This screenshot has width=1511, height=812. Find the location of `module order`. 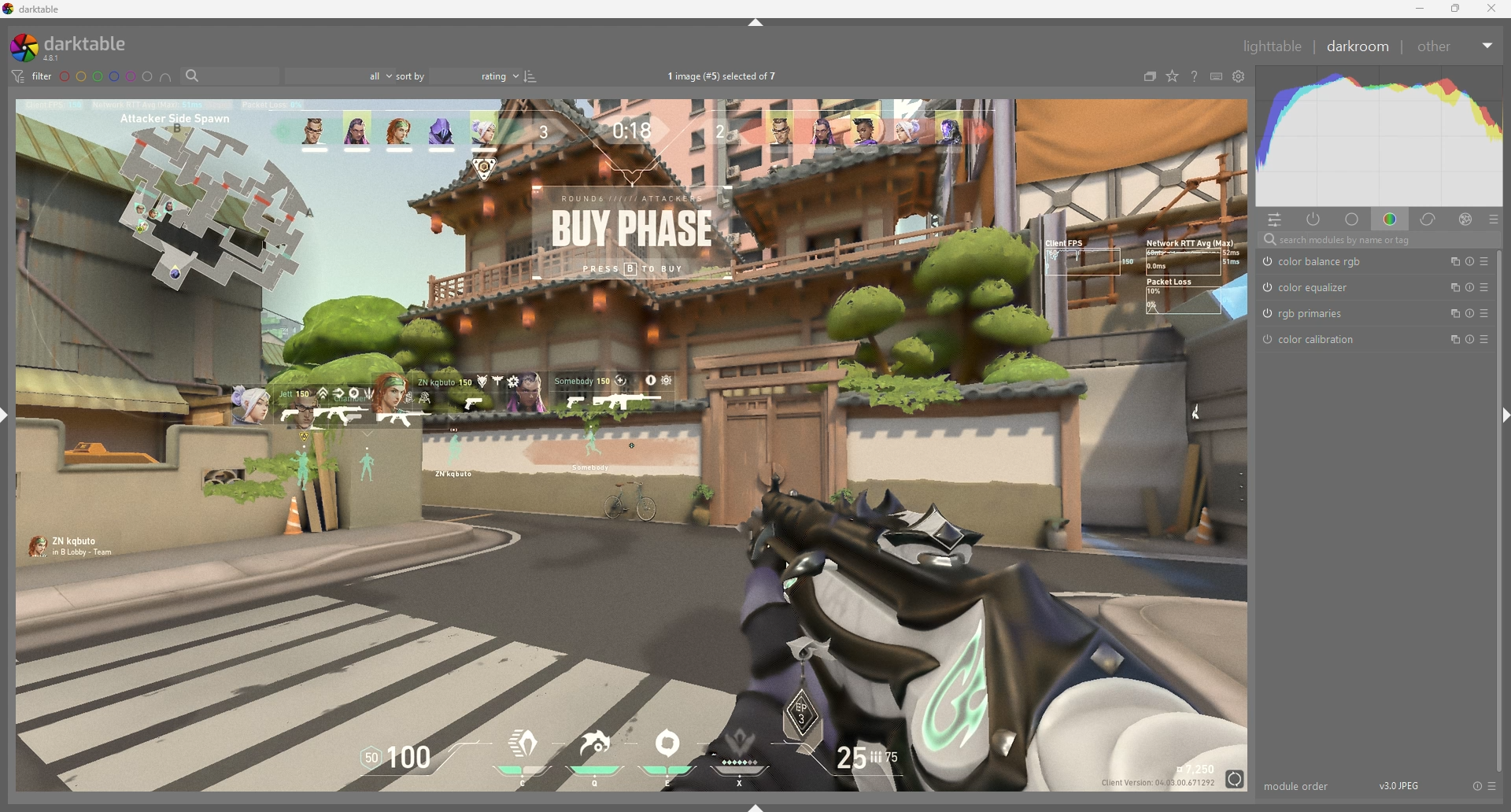

module order is located at coordinates (1299, 786).